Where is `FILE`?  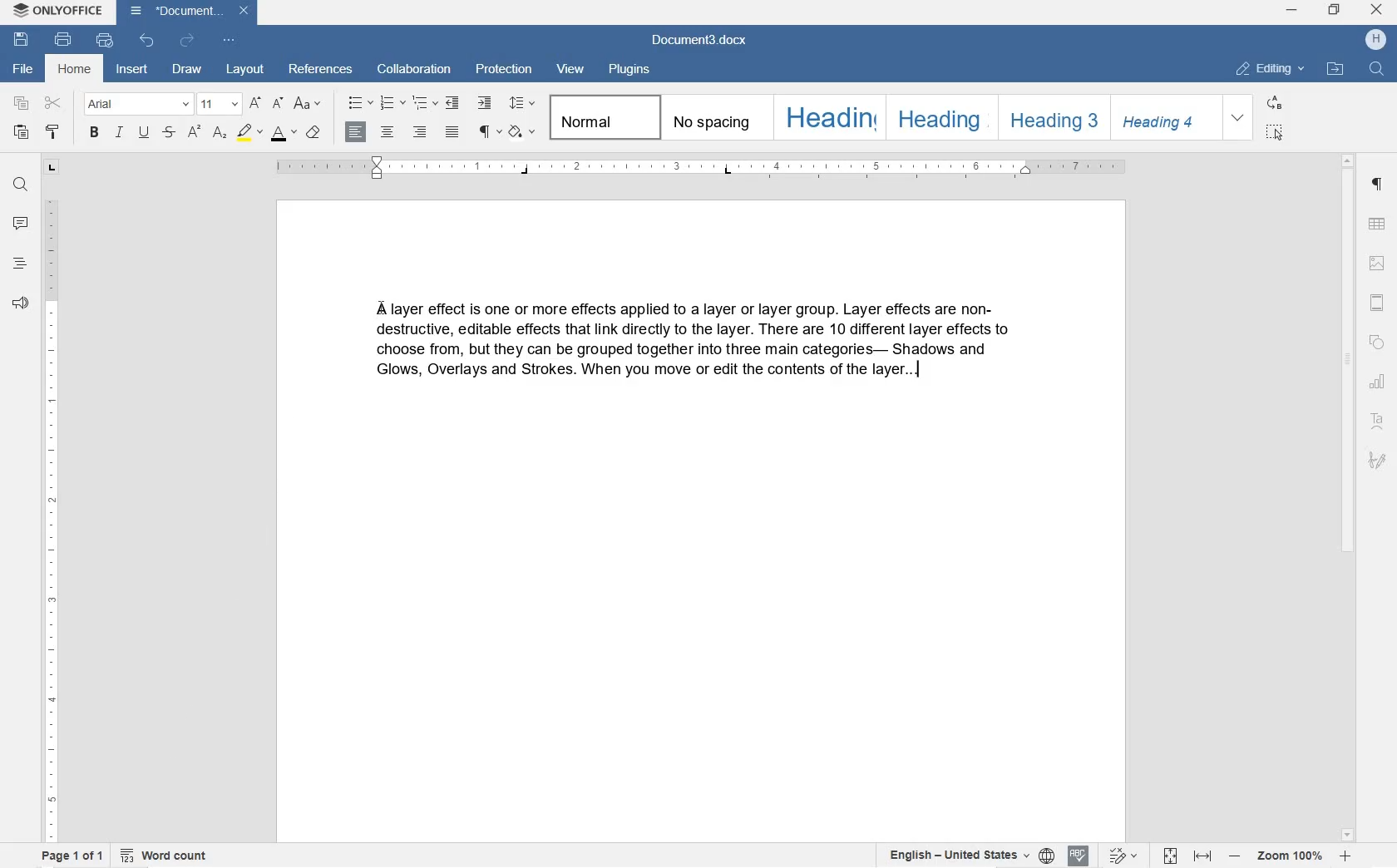 FILE is located at coordinates (23, 70).